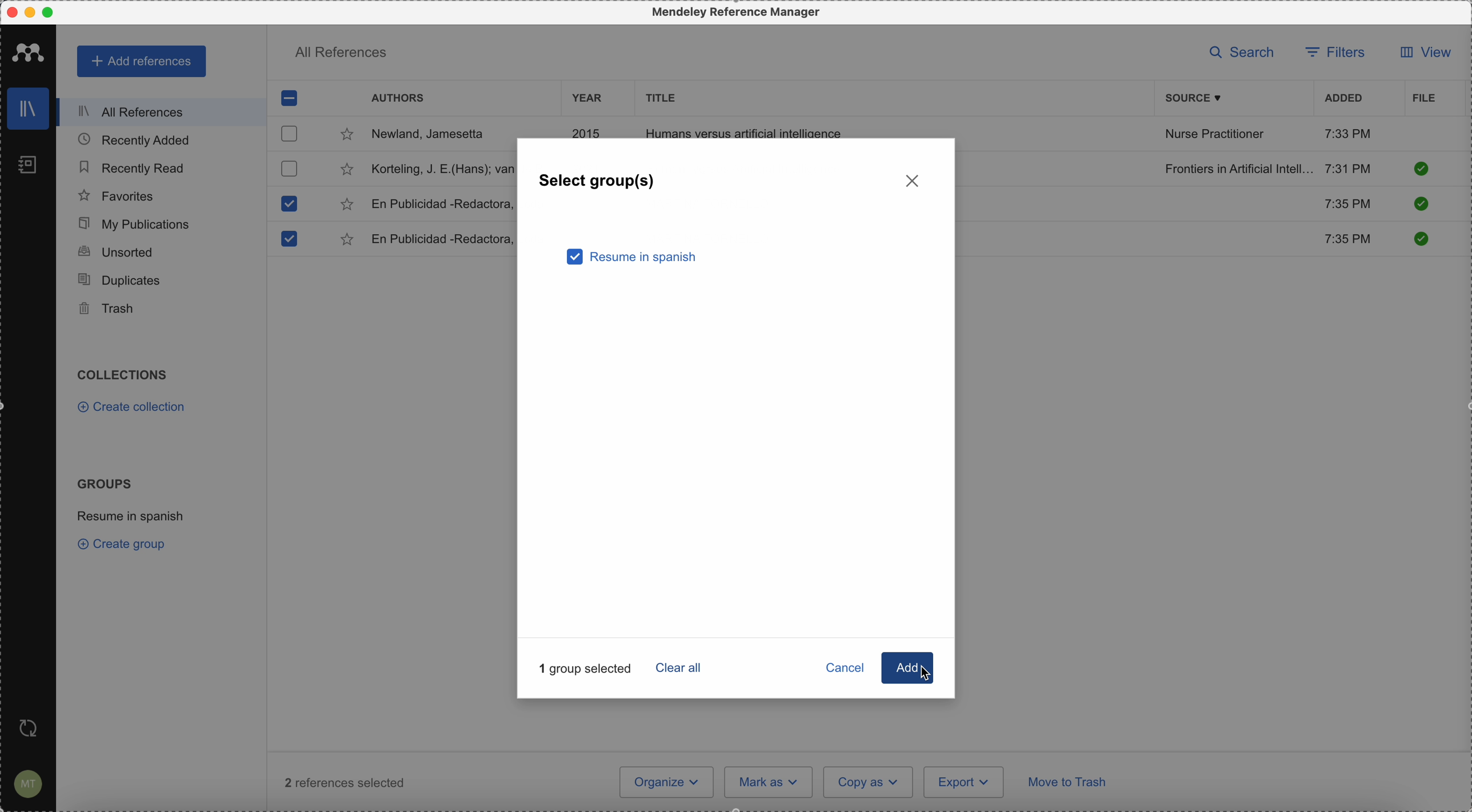 The image size is (1472, 812). What do you see at coordinates (287, 239) in the screenshot?
I see `checkbox selected` at bounding box center [287, 239].